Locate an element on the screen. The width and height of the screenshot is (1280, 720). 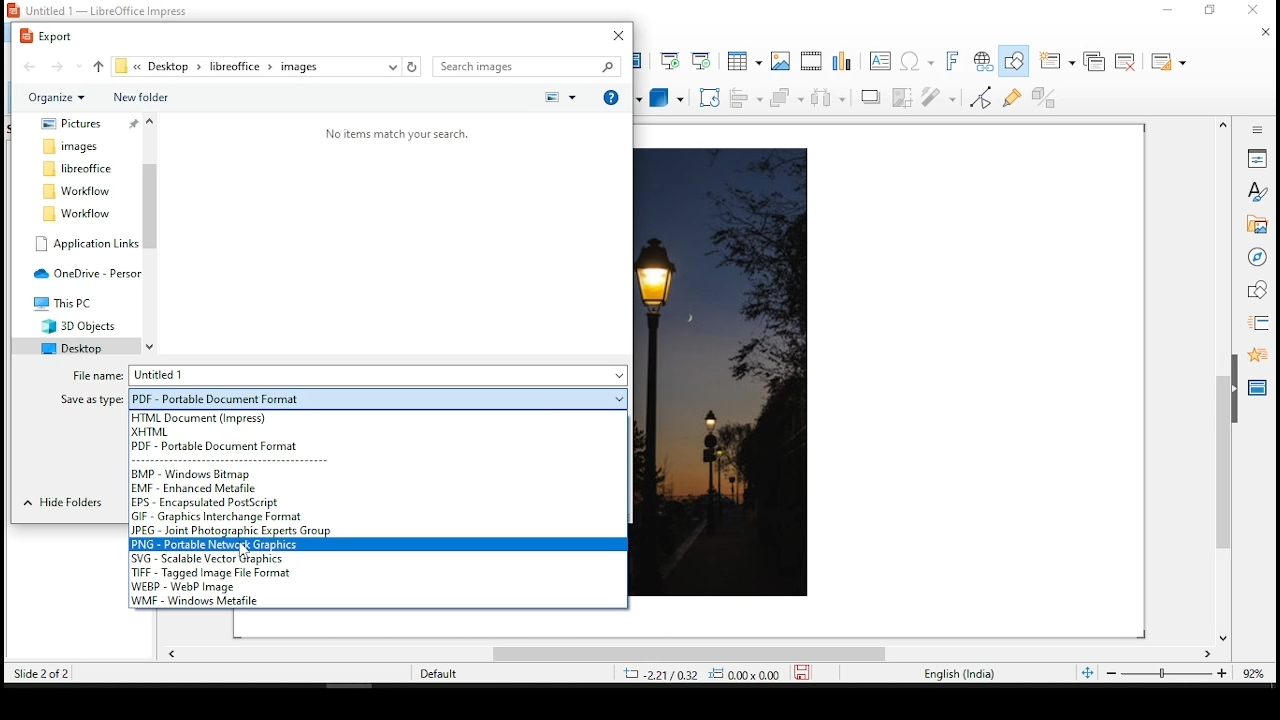
search bar is located at coordinates (526, 67).